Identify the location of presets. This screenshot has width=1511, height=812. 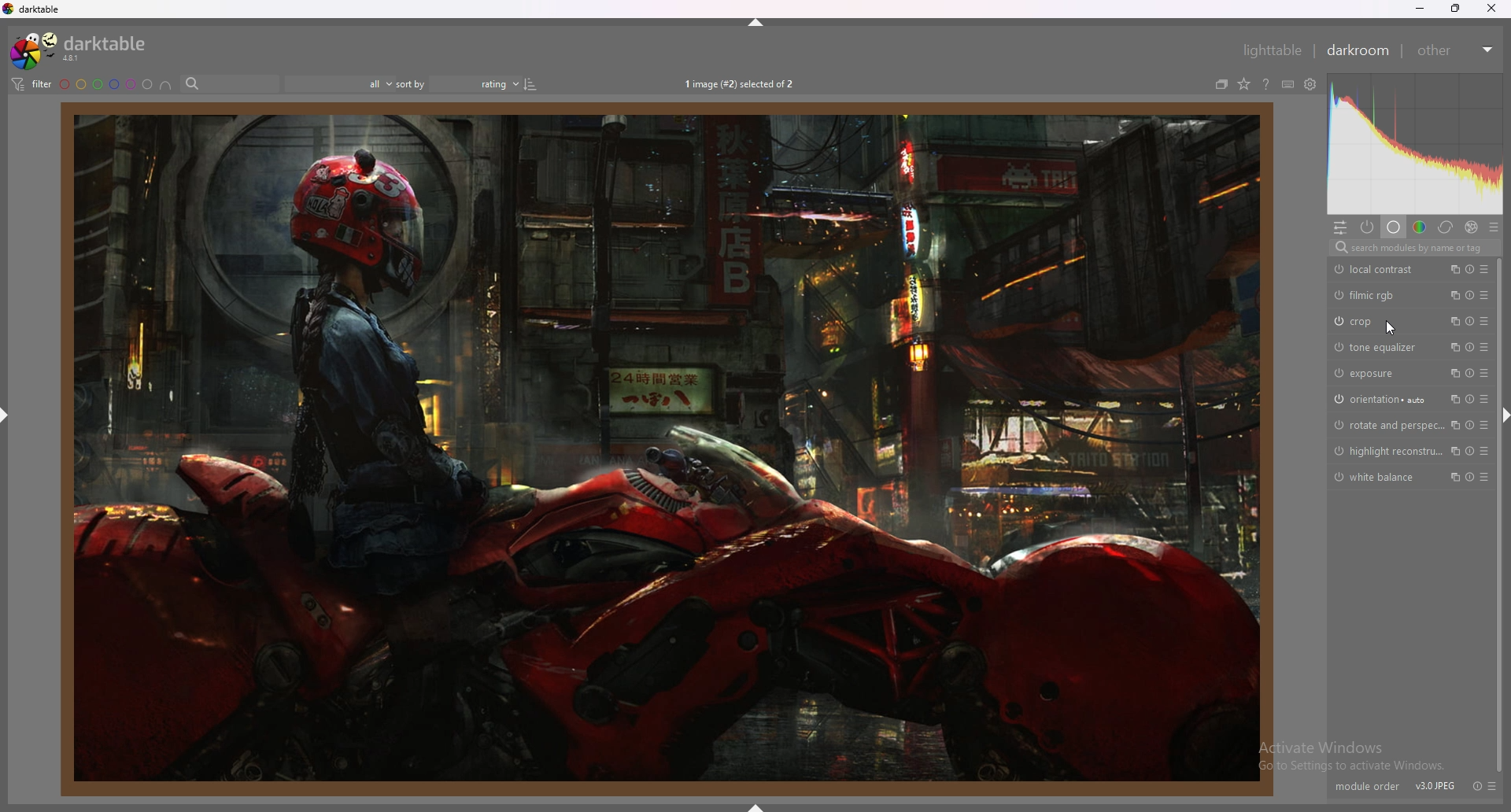
(1497, 784).